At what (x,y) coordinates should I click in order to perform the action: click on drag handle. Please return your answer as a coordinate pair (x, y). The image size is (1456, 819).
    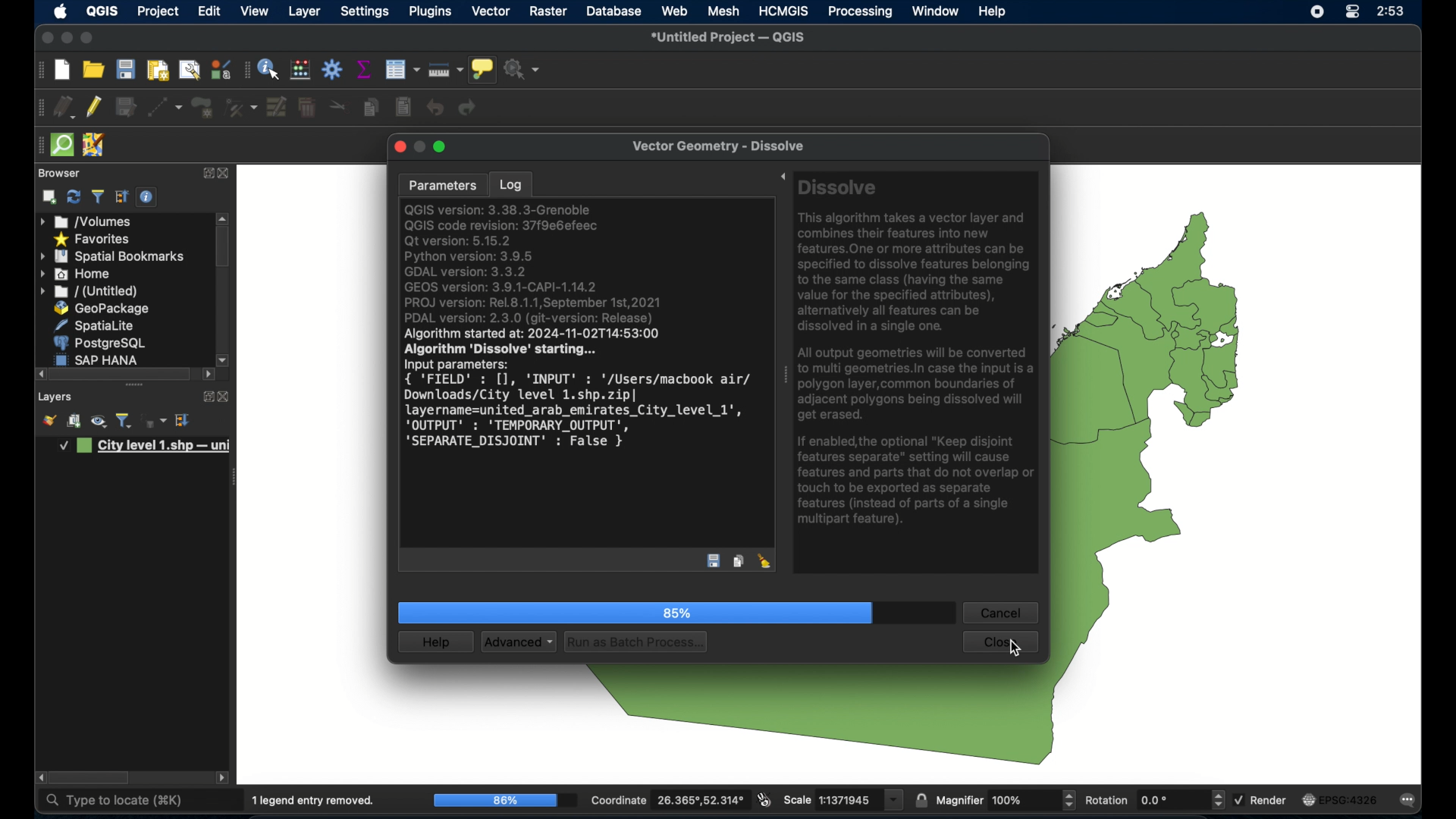
    Looking at the image, I should click on (38, 145).